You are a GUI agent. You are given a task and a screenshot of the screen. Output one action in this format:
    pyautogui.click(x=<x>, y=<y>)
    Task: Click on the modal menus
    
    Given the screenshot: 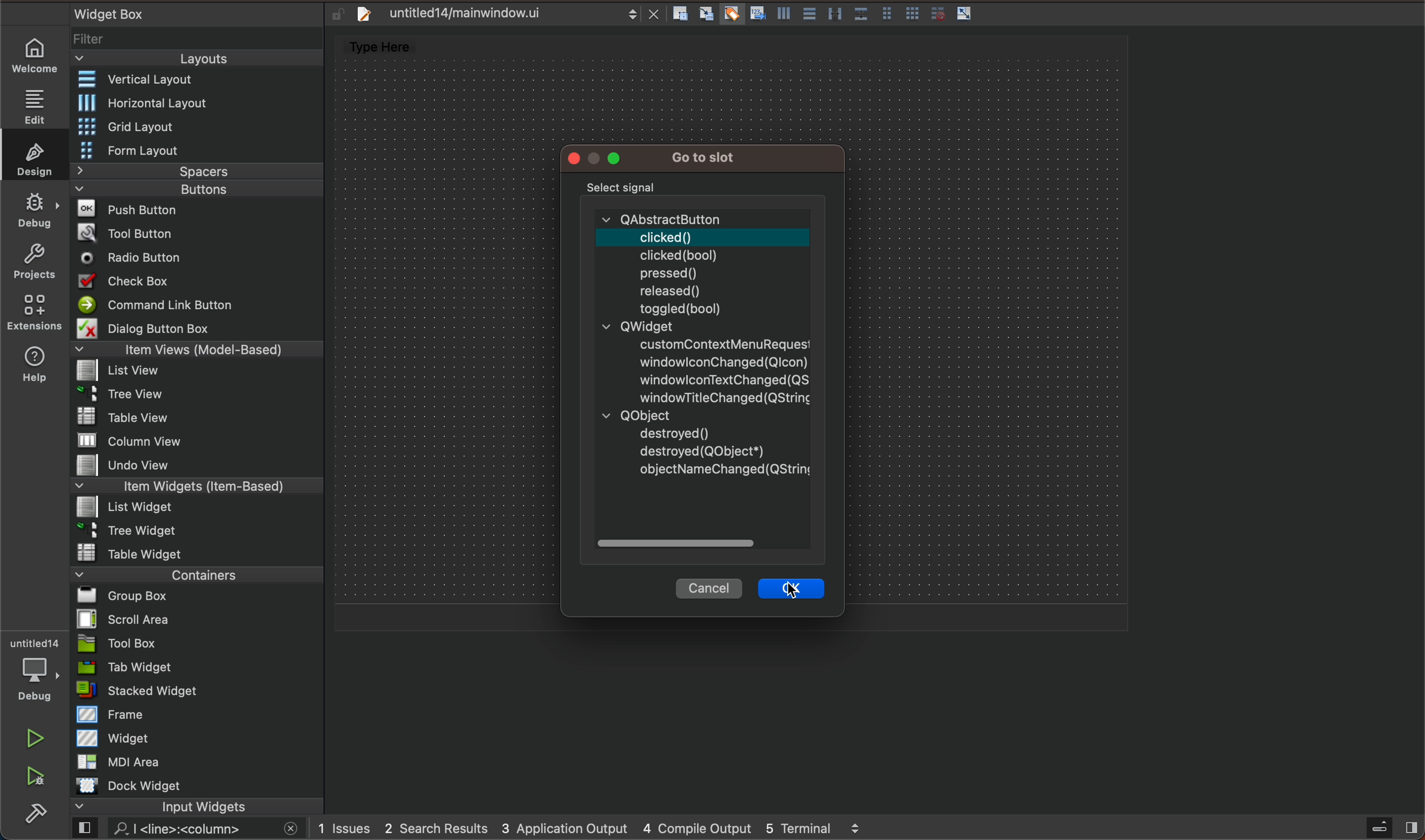 What is the action you would take?
    pyautogui.click(x=597, y=157)
    